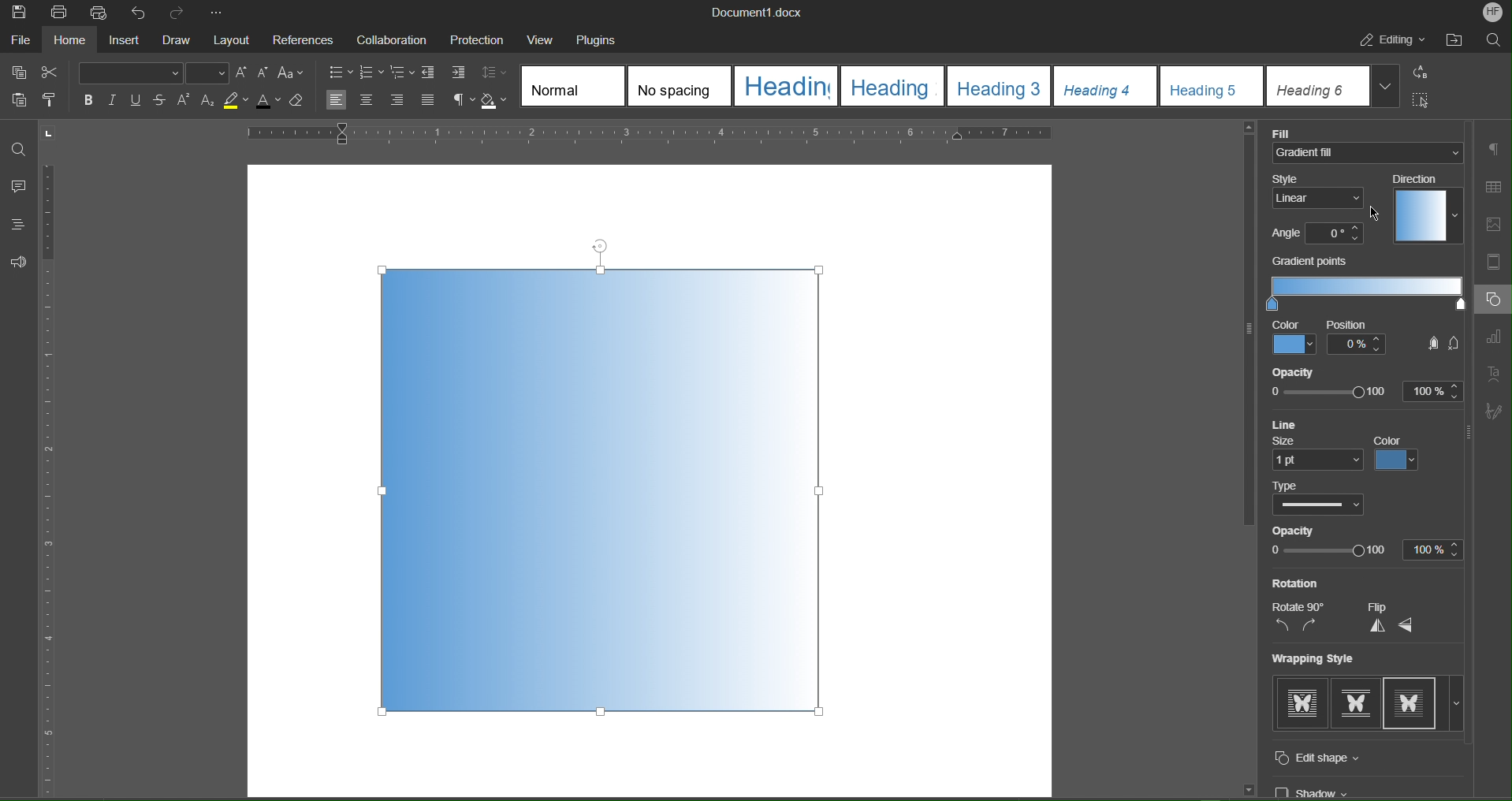 The image size is (1512, 801). Describe the element at coordinates (496, 72) in the screenshot. I see `Line spacing` at that location.